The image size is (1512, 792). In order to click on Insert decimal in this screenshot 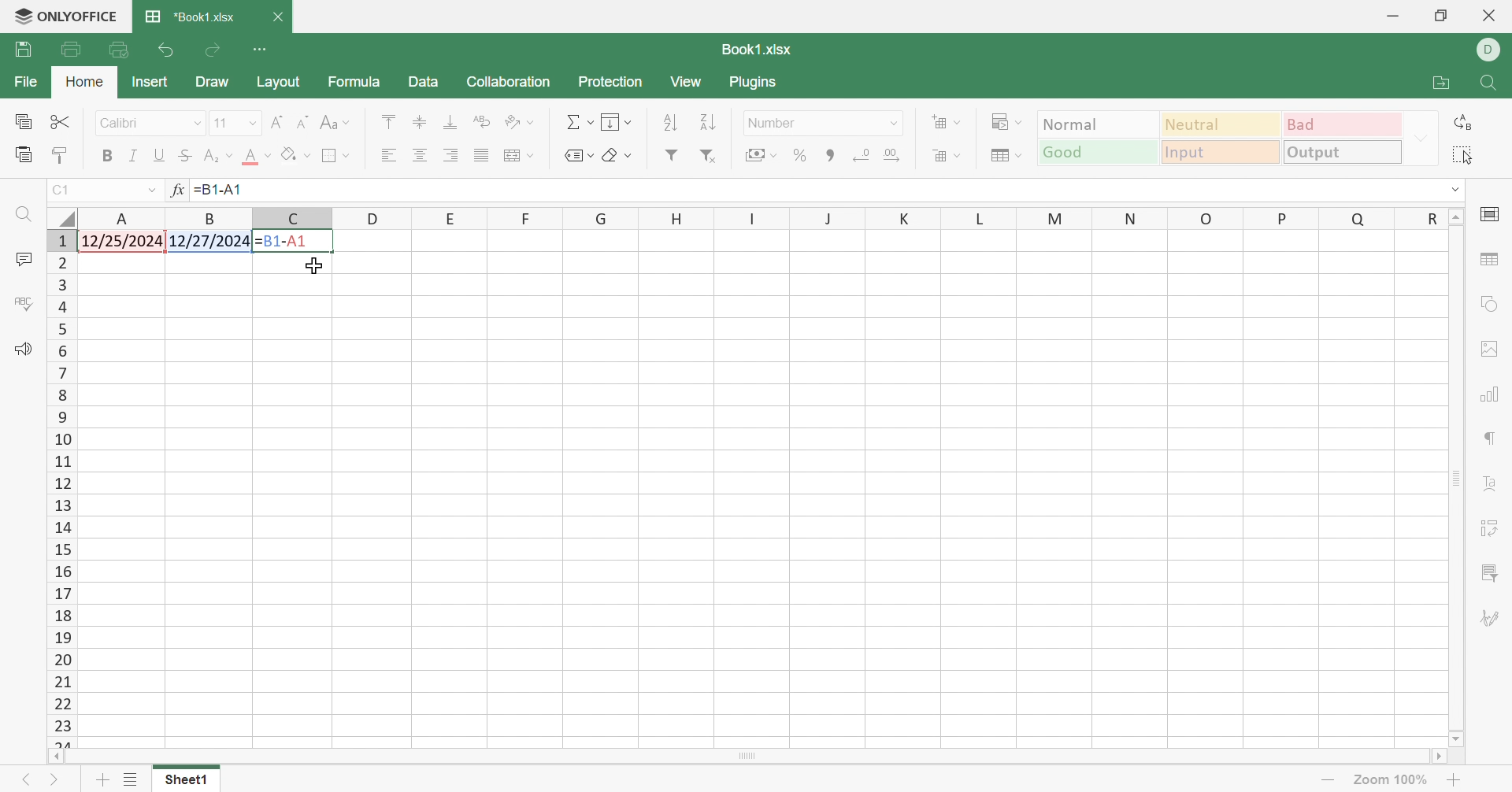, I will do `click(895, 154)`.